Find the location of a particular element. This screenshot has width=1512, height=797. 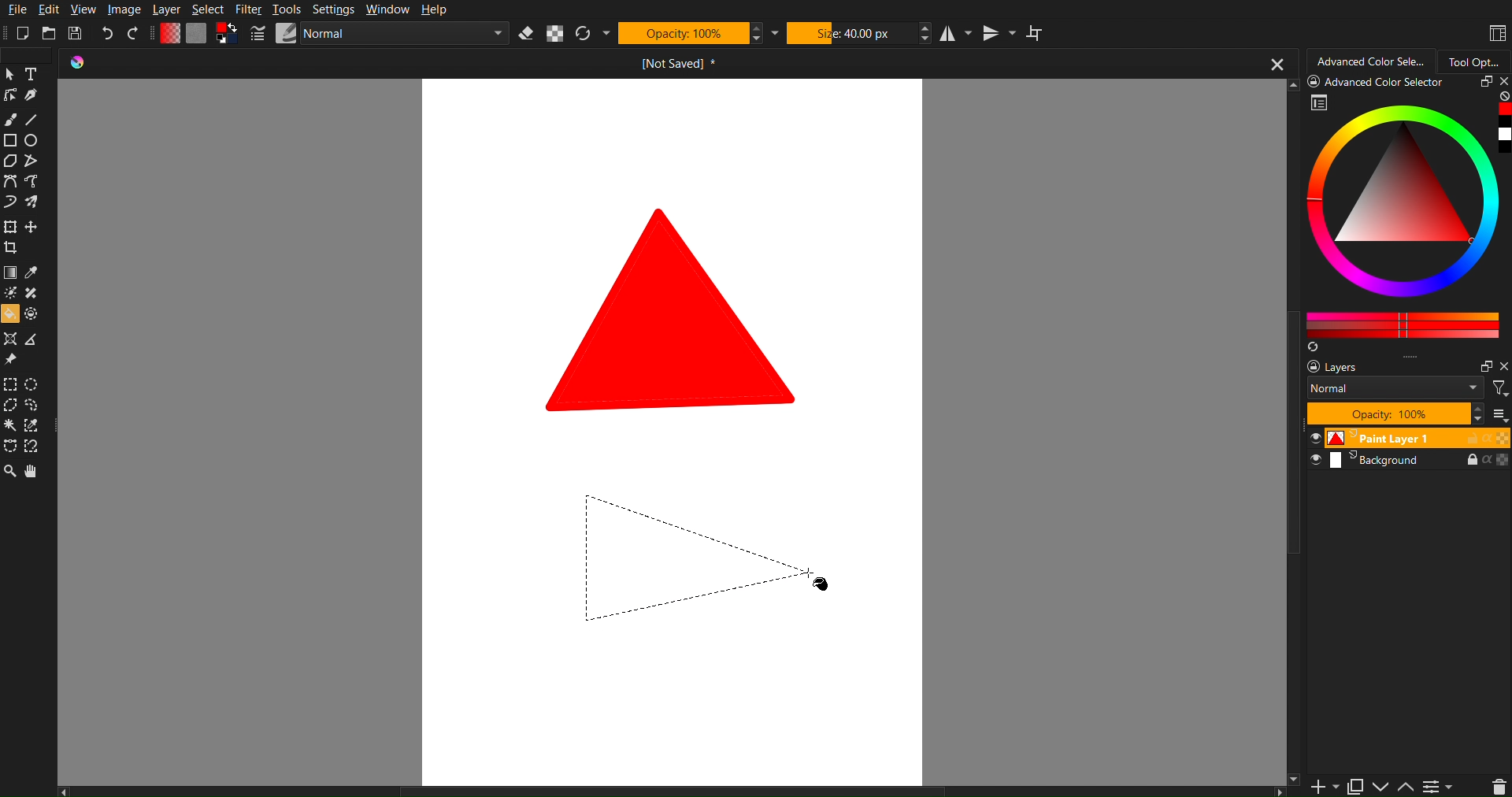

Help is located at coordinates (433, 10).